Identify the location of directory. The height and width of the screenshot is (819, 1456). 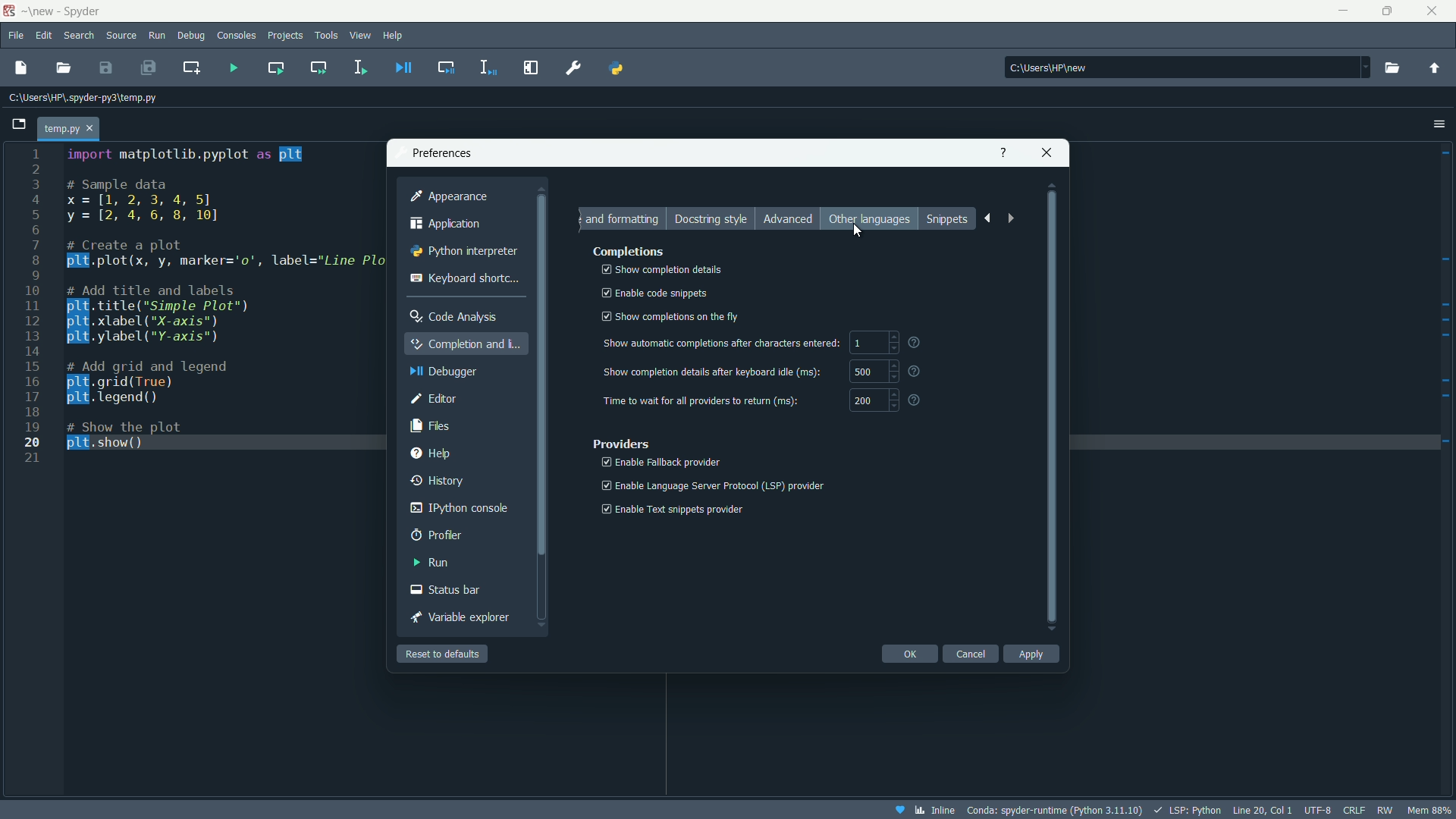
(1188, 66).